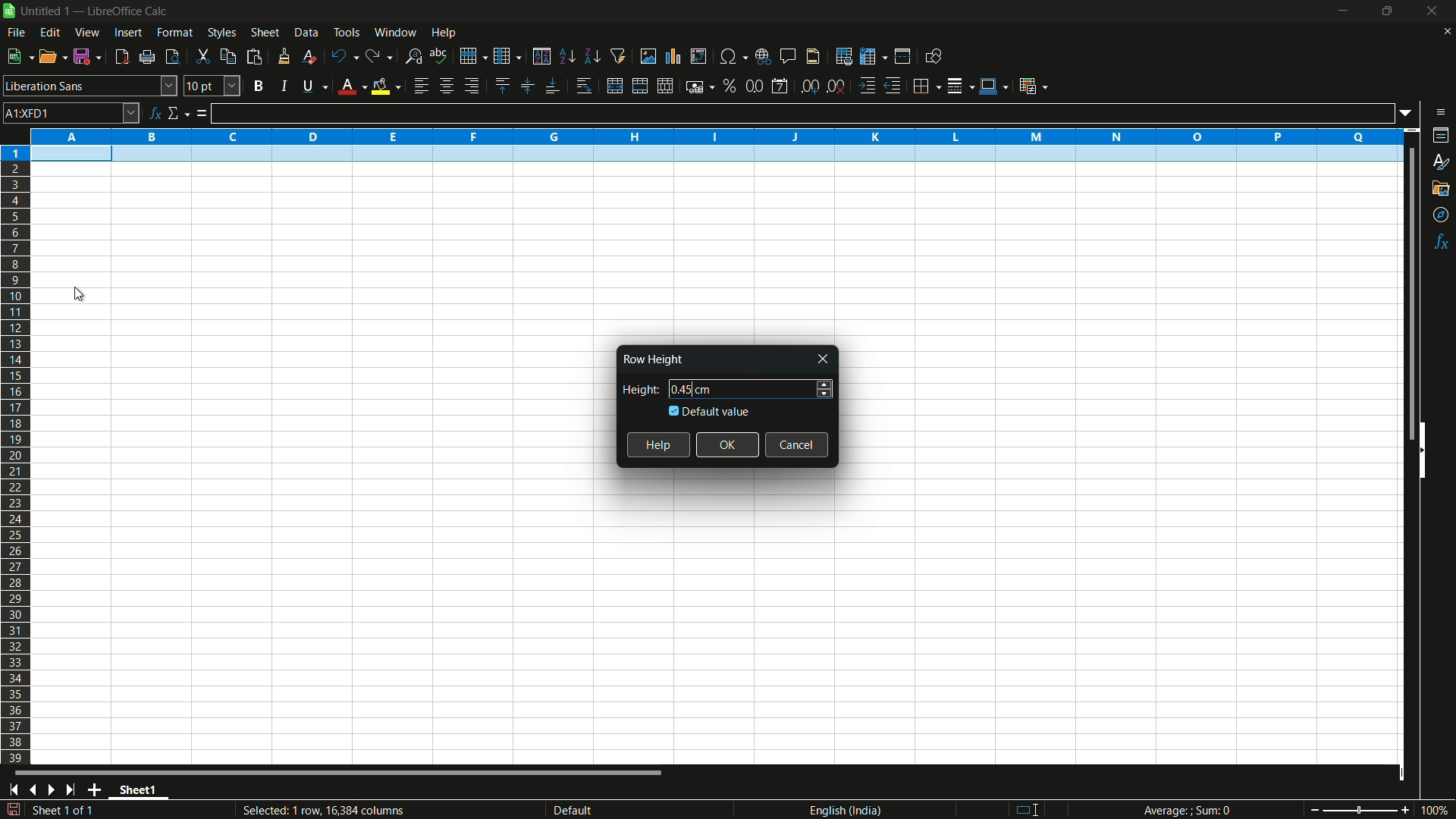  I want to click on borders, so click(927, 84).